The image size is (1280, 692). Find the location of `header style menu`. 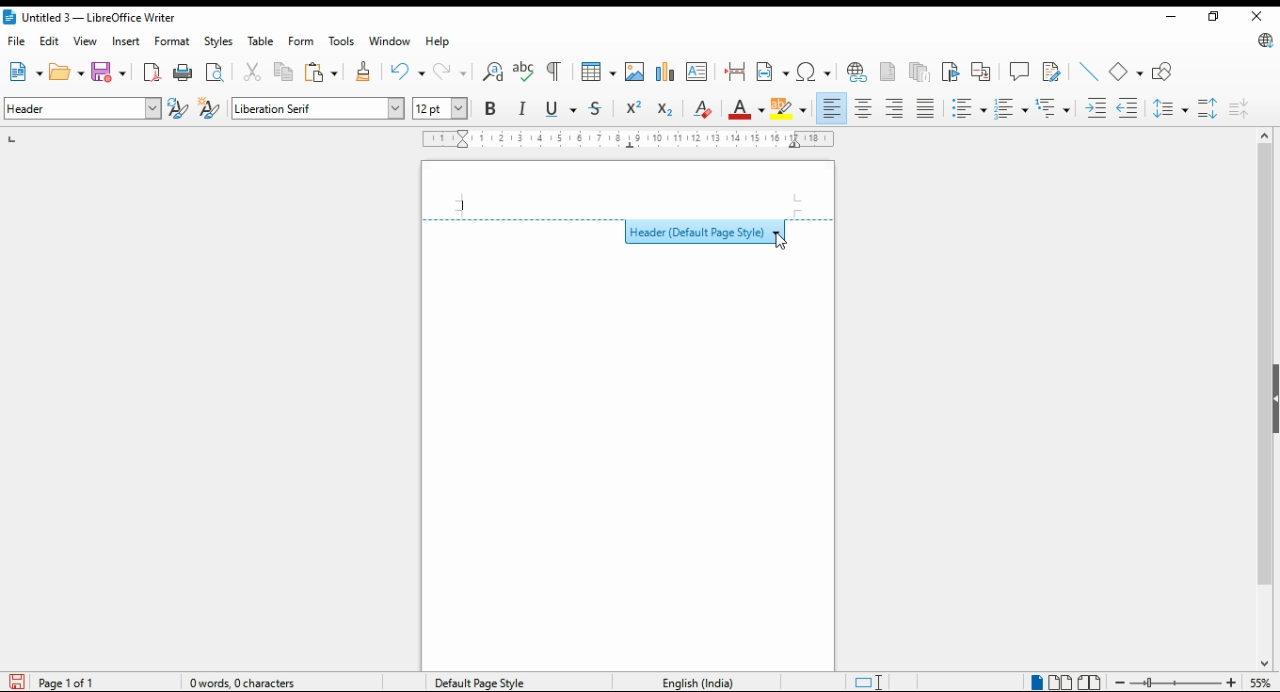

header style menu is located at coordinates (629, 229).